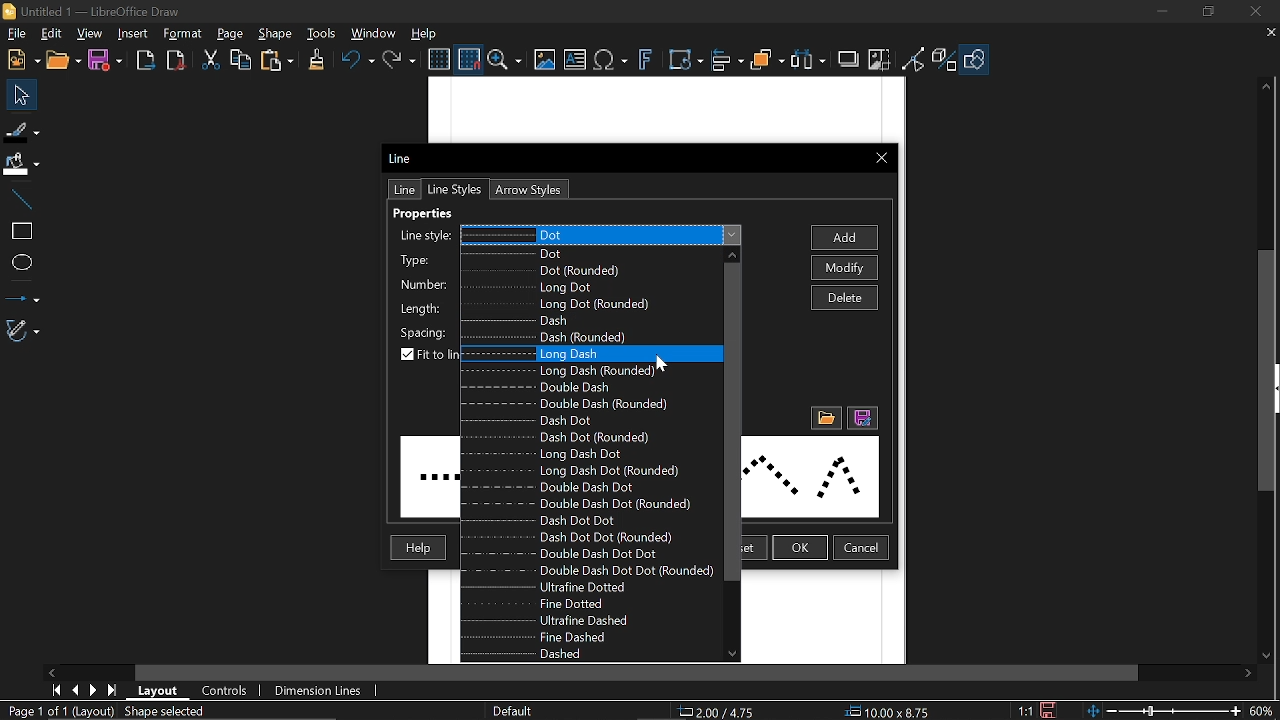 This screenshot has width=1280, height=720. I want to click on Fine dotted, so click(593, 605).